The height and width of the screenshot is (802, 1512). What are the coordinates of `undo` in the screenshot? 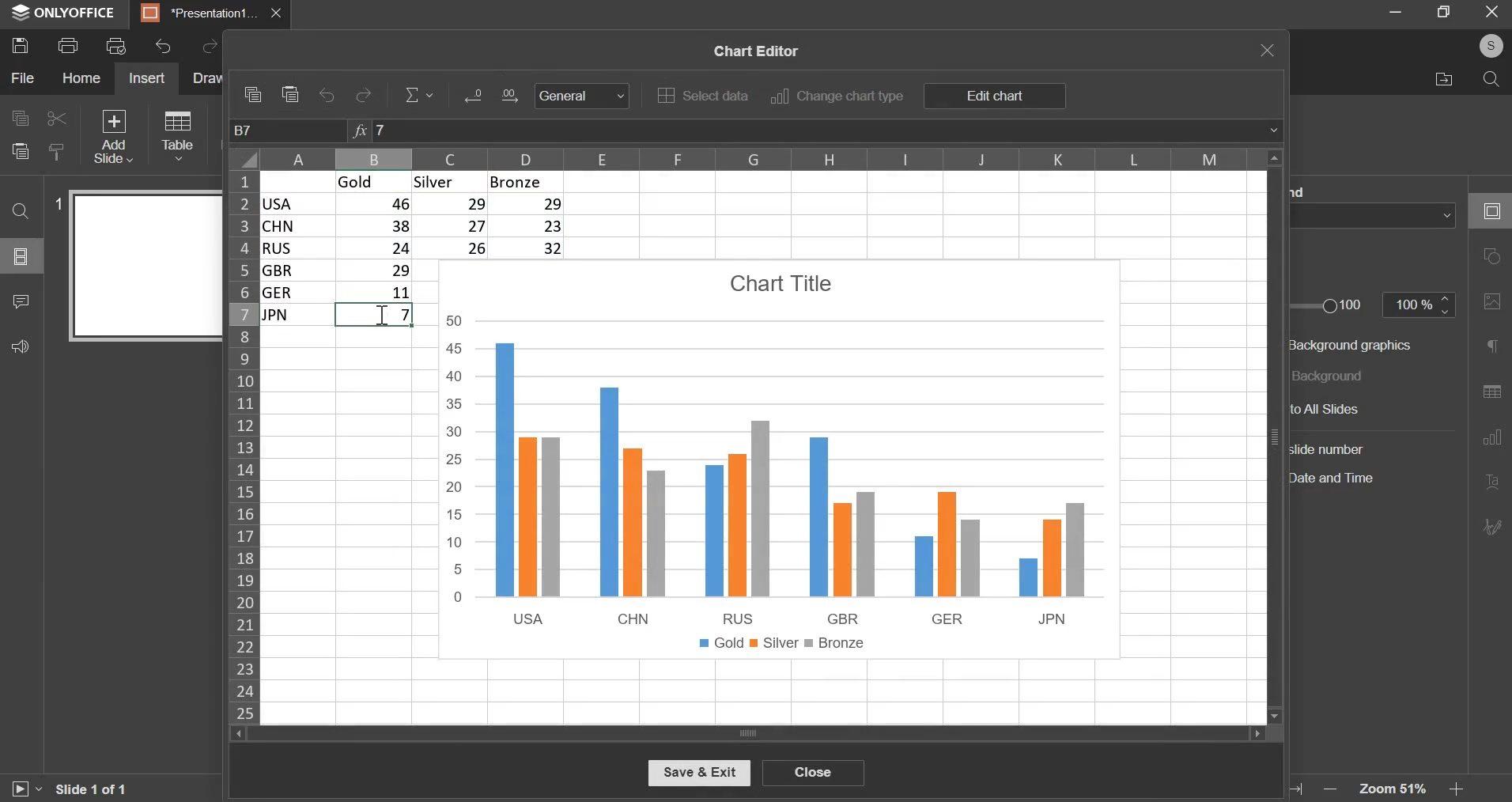 It's located at (328, 96).